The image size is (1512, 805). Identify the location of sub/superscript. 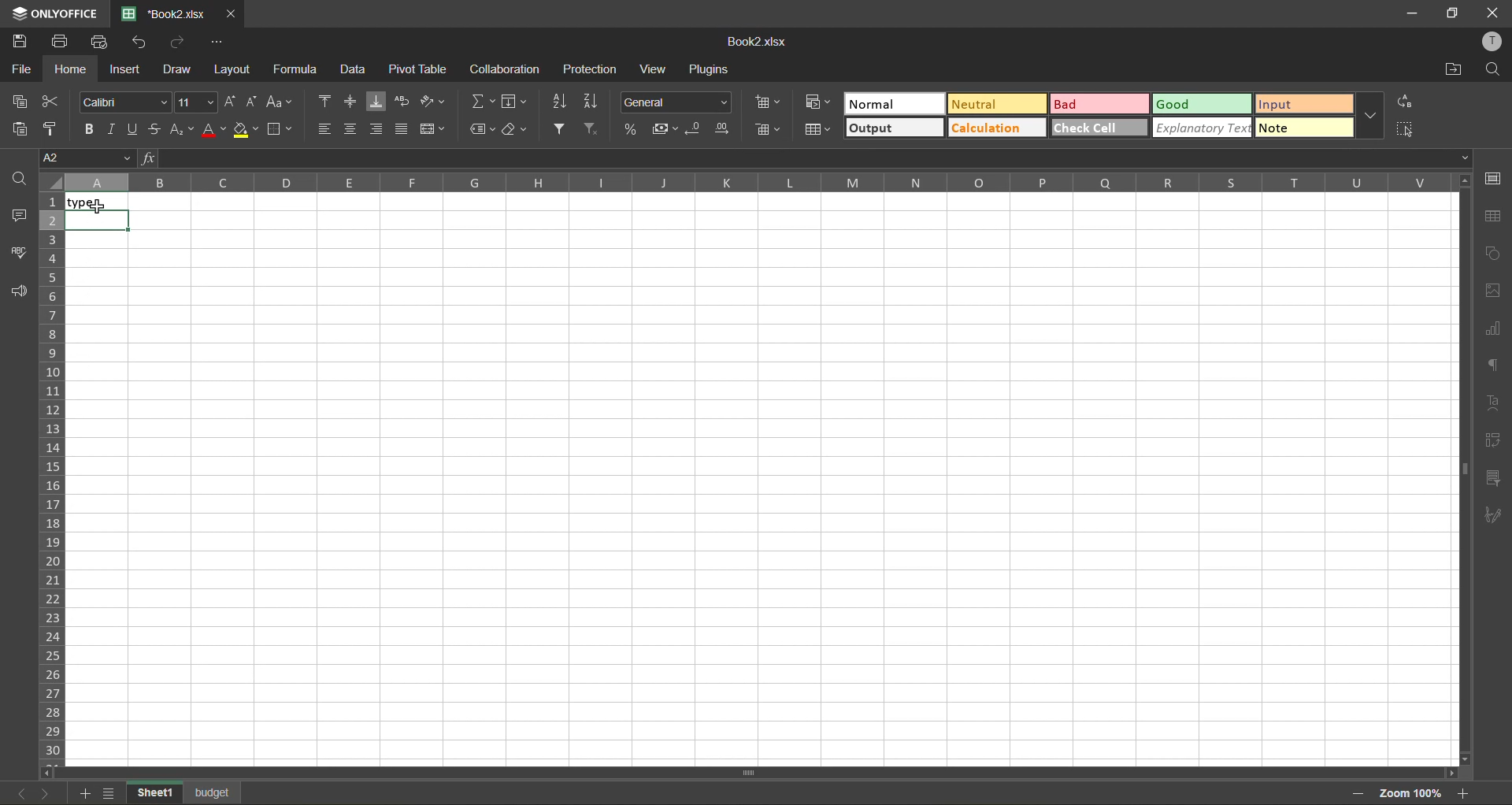
(184, 127).